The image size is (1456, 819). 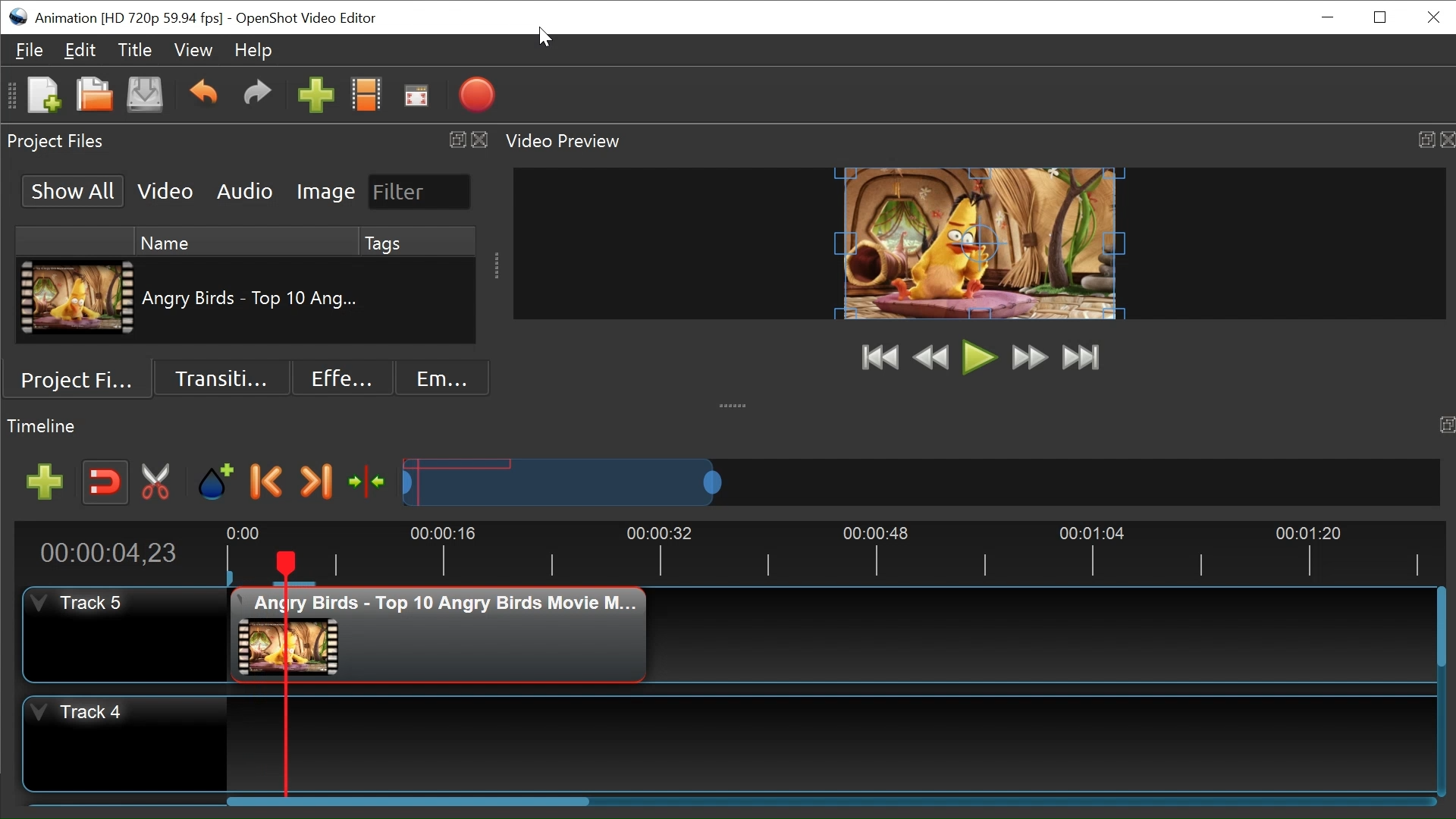 What do you see at coordinates (30, 50) in the screenshot?
I see `File` at bounding box center [30, 50].